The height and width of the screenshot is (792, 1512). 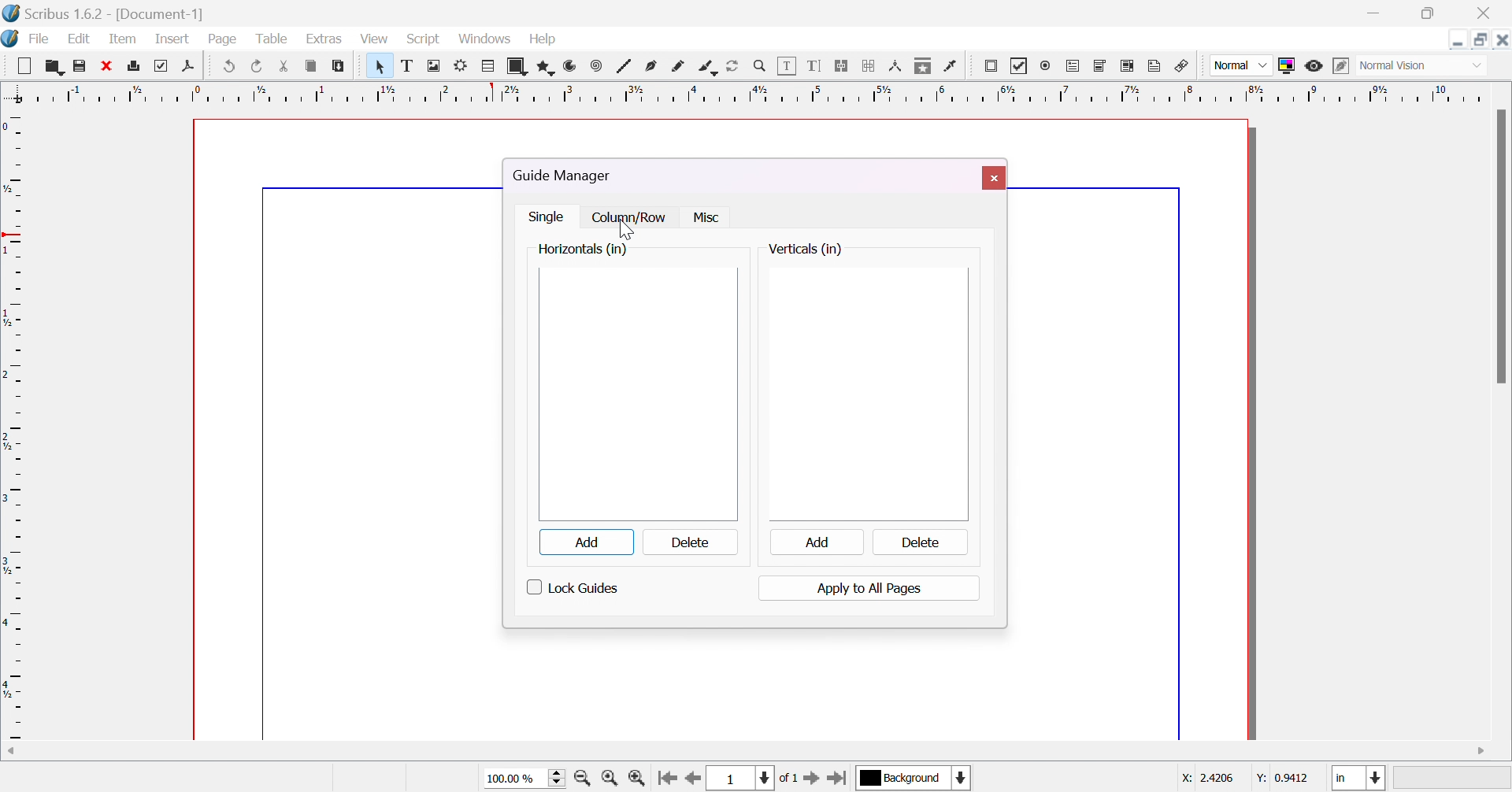 What do you see at coordinates (732, 67) in the screenshot?
I see `rotate item` at bounding box center [732, 67].